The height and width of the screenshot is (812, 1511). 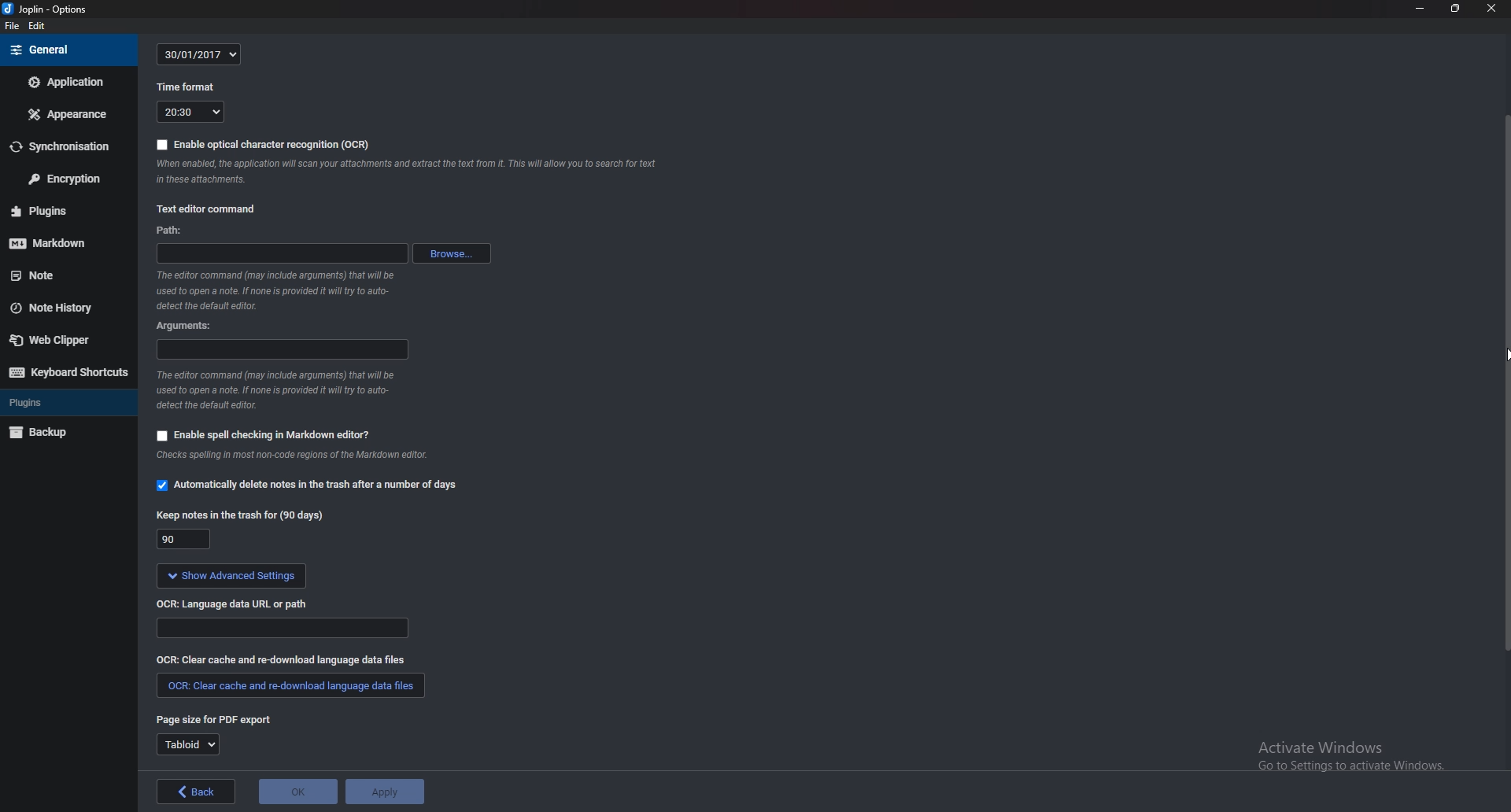 What do you see at coordinates (39, 26) in the screenshot?
I see `edit` at bounding box center [39, 26].